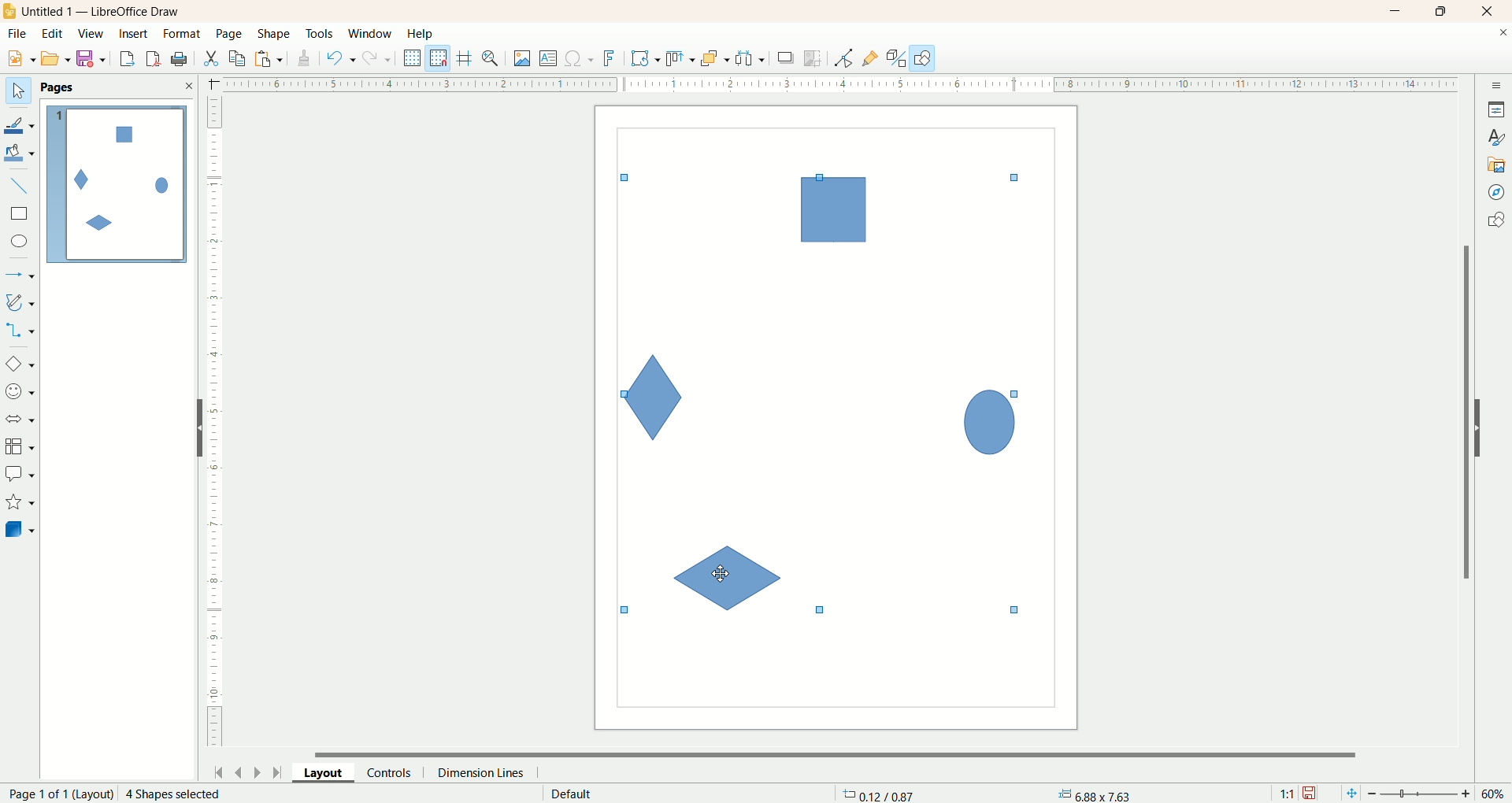  I want to click on save, so click(1311, 794).